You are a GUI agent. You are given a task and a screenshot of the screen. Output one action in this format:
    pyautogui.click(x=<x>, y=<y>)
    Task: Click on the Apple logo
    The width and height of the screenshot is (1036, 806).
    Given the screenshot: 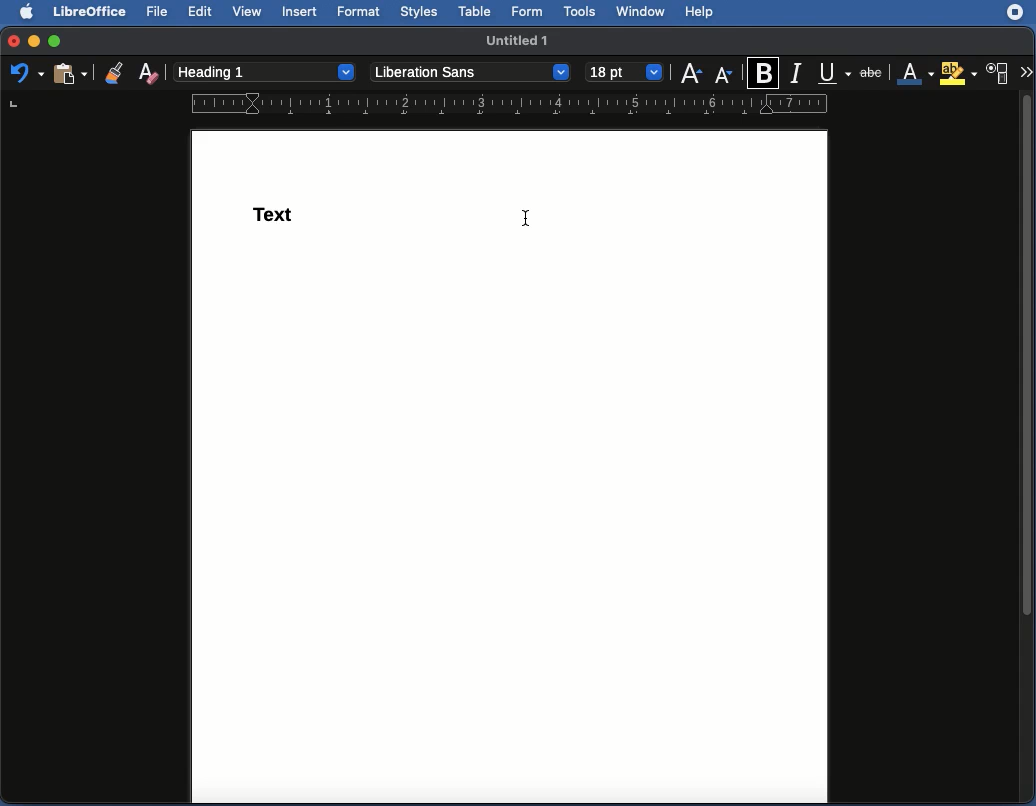 What is the action you would take?
    pyautogui.click(x=32, y=13)
    